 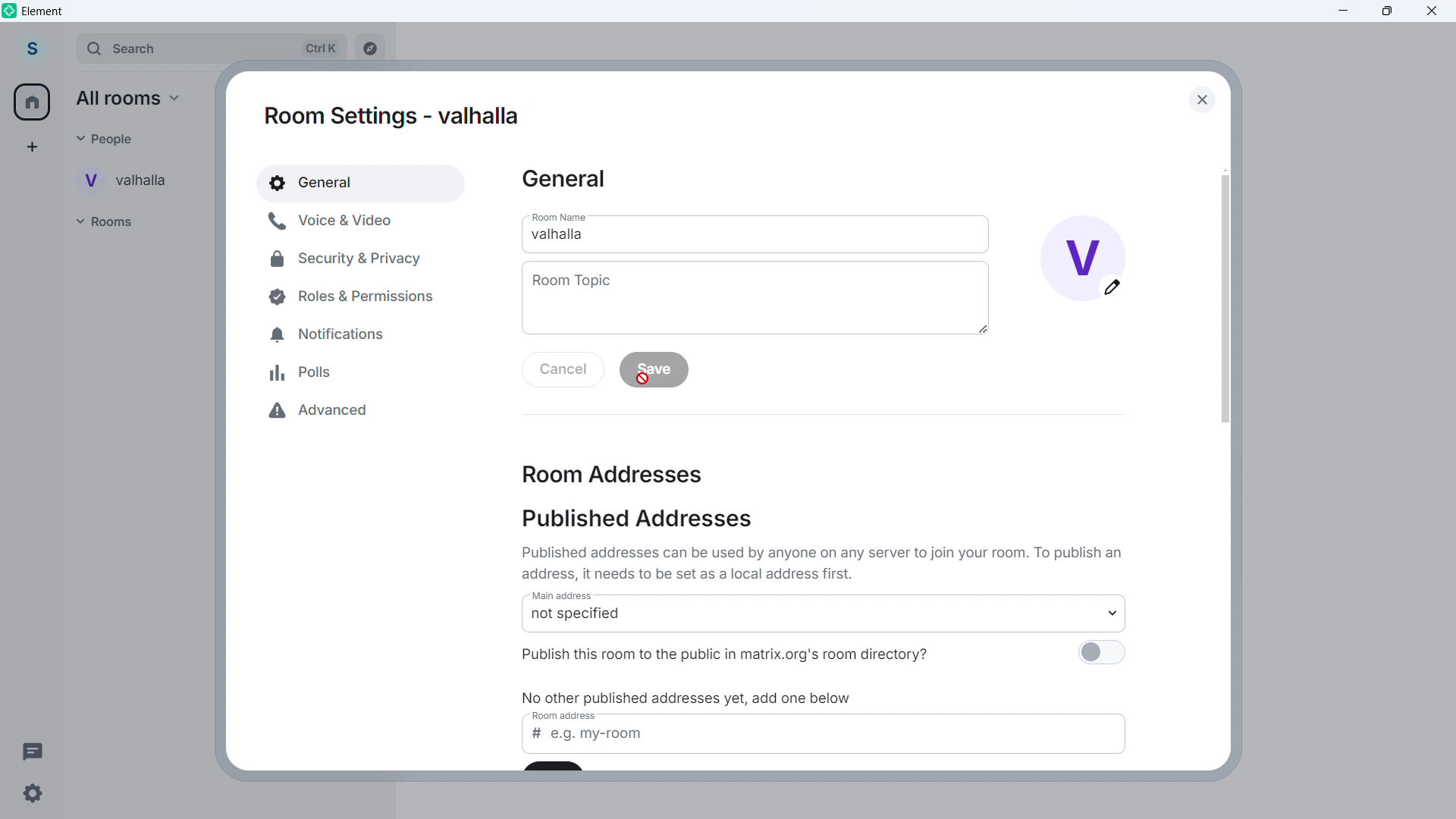 What do you see at coordinates (362, 183) in the screenshot?
I see `General ` at bounding box center [362, 183].